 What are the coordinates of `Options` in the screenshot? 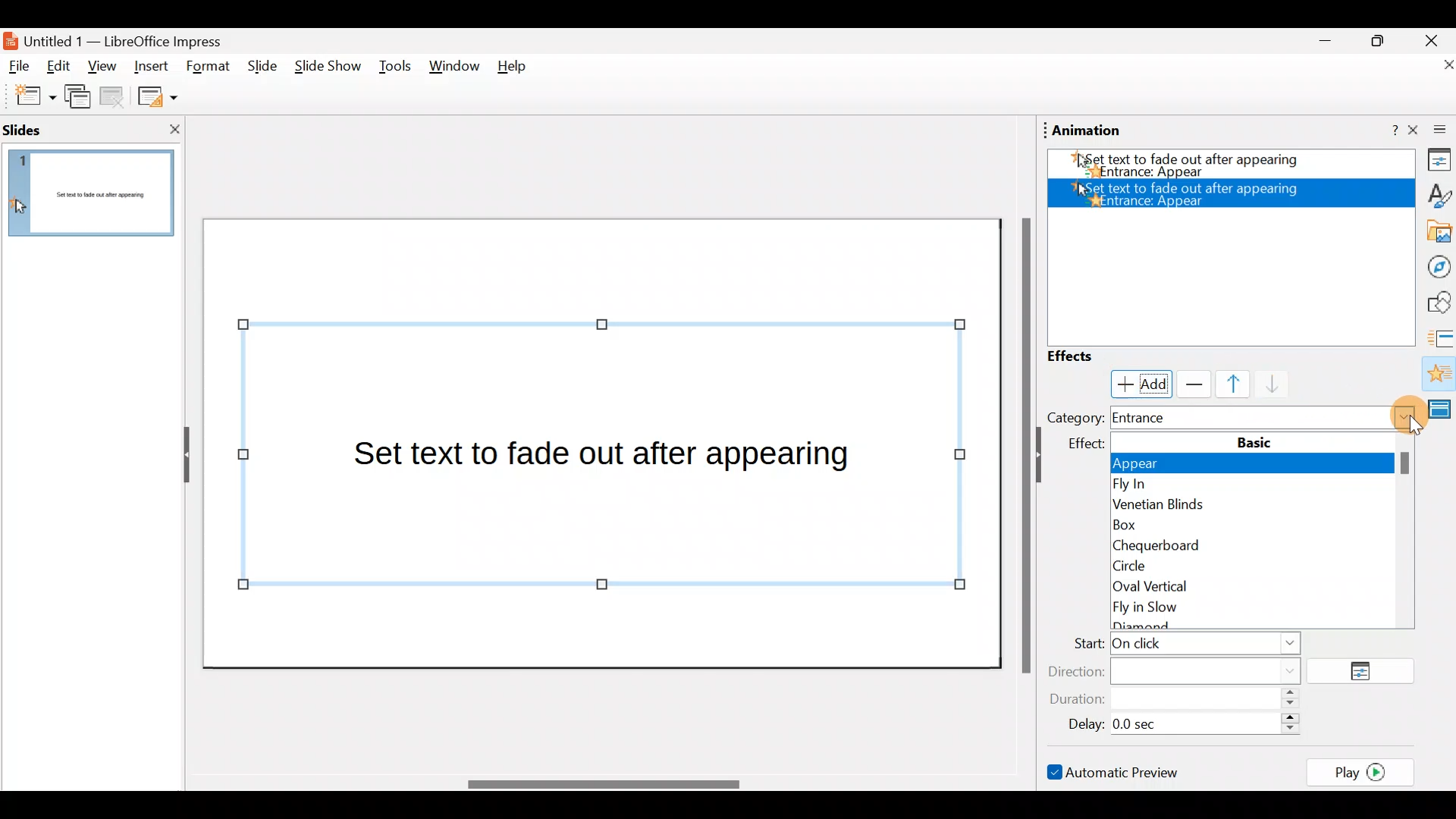 It's located at (1367, 672).